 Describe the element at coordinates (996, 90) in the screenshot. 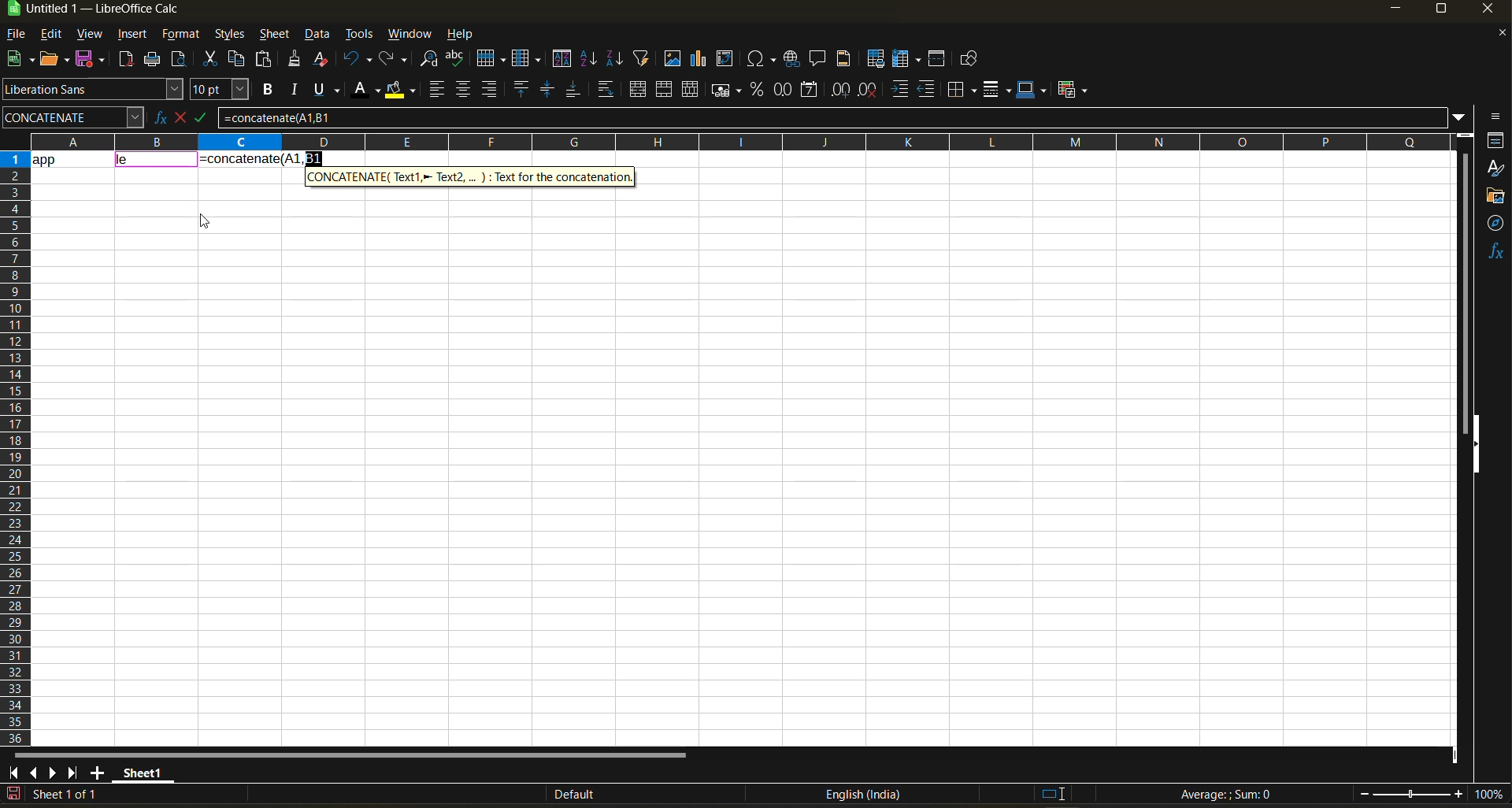

I see `border style` at that location.